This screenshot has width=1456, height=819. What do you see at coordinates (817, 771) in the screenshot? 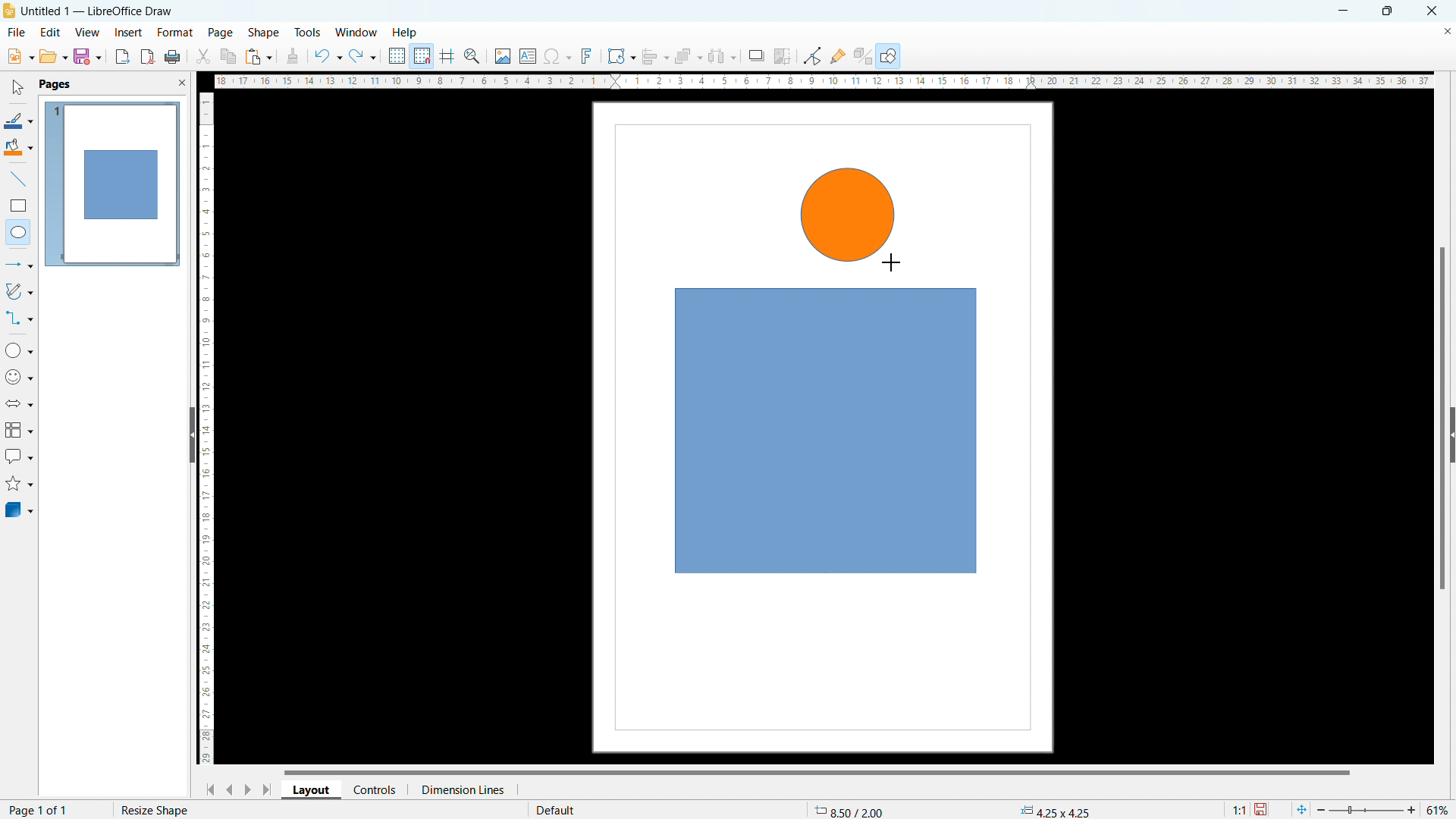
I see `horizontal scrollbar` at bounding box center [817, 771].